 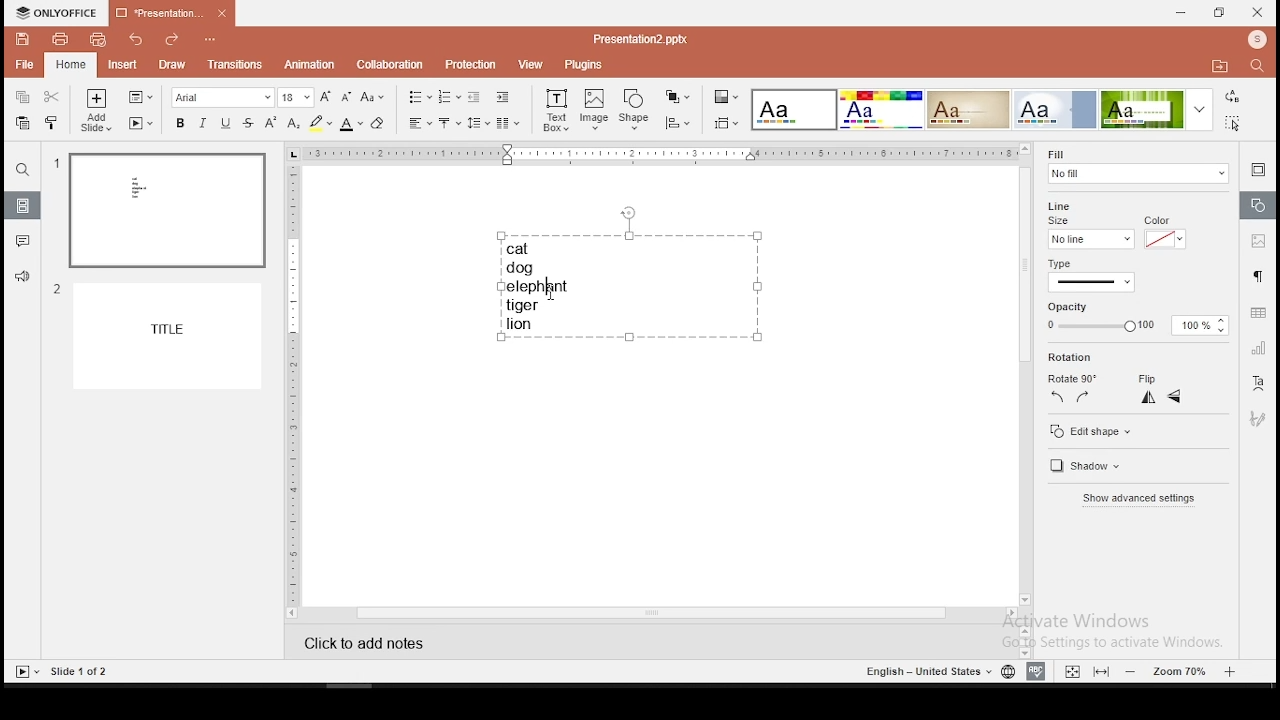 I want to click on change color theme, so click(x=724, y=96).